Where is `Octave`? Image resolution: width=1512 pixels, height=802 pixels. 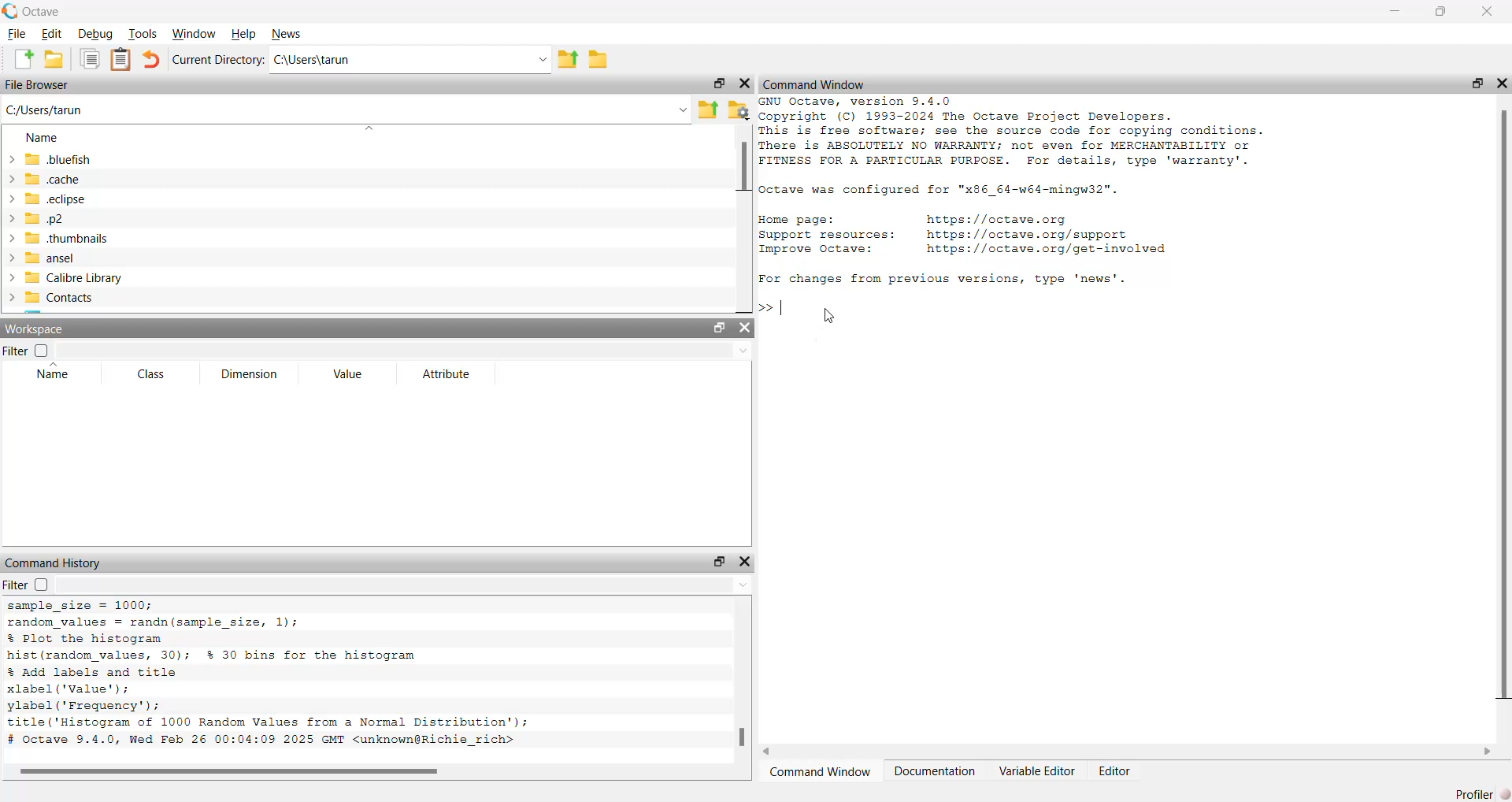 Octave is located at coordinates (43, 11).